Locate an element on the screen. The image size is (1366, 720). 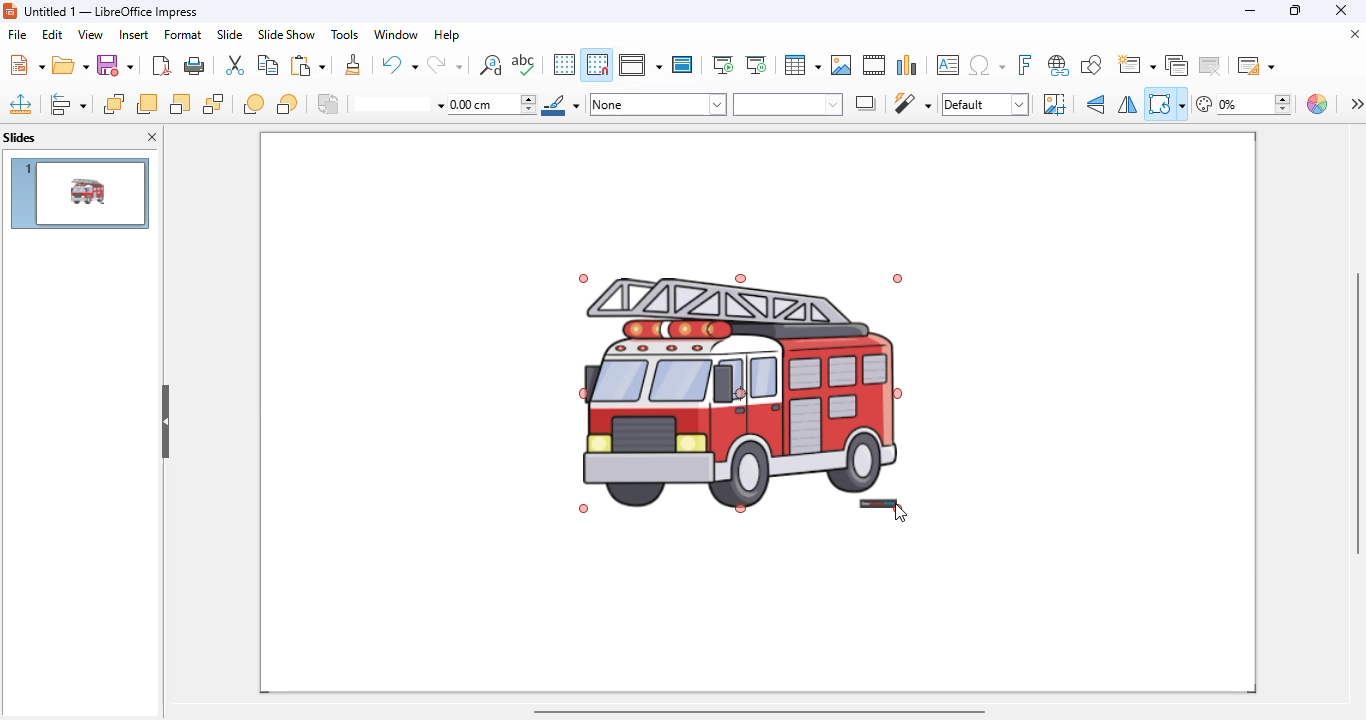
snap to grid is located at coordinates (598, 64).